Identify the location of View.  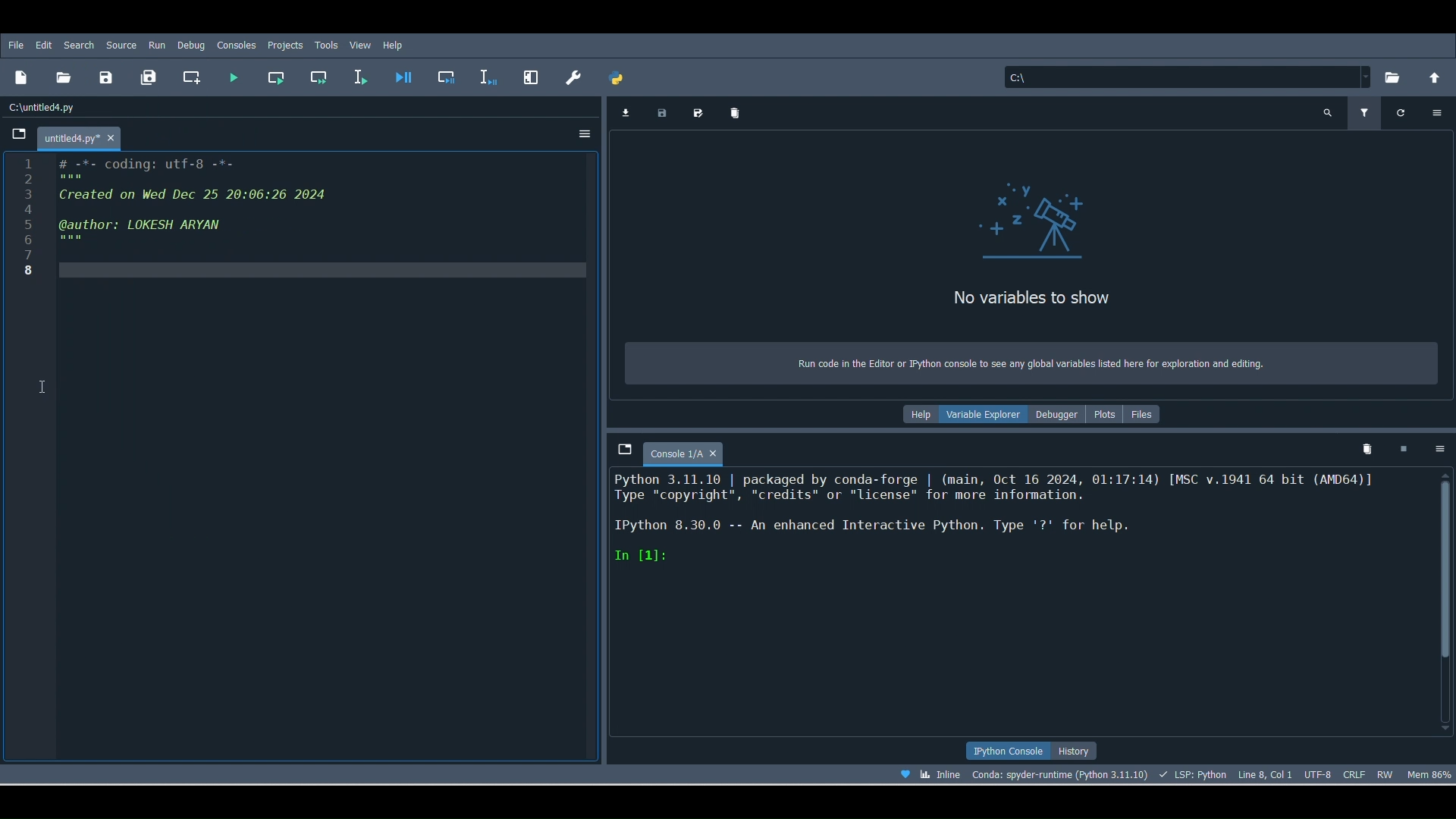
(360, 44).